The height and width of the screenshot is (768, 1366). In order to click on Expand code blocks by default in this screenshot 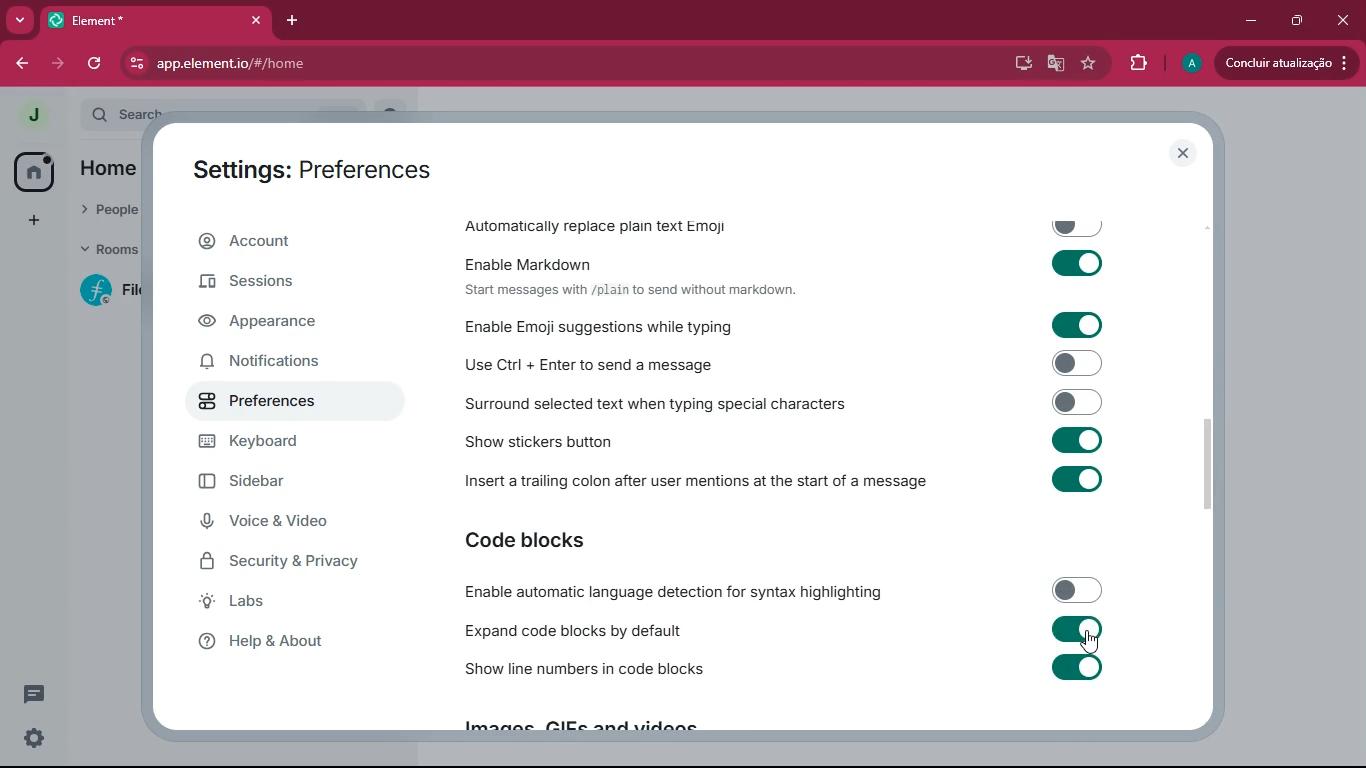, I will do `click(783, 630)`.